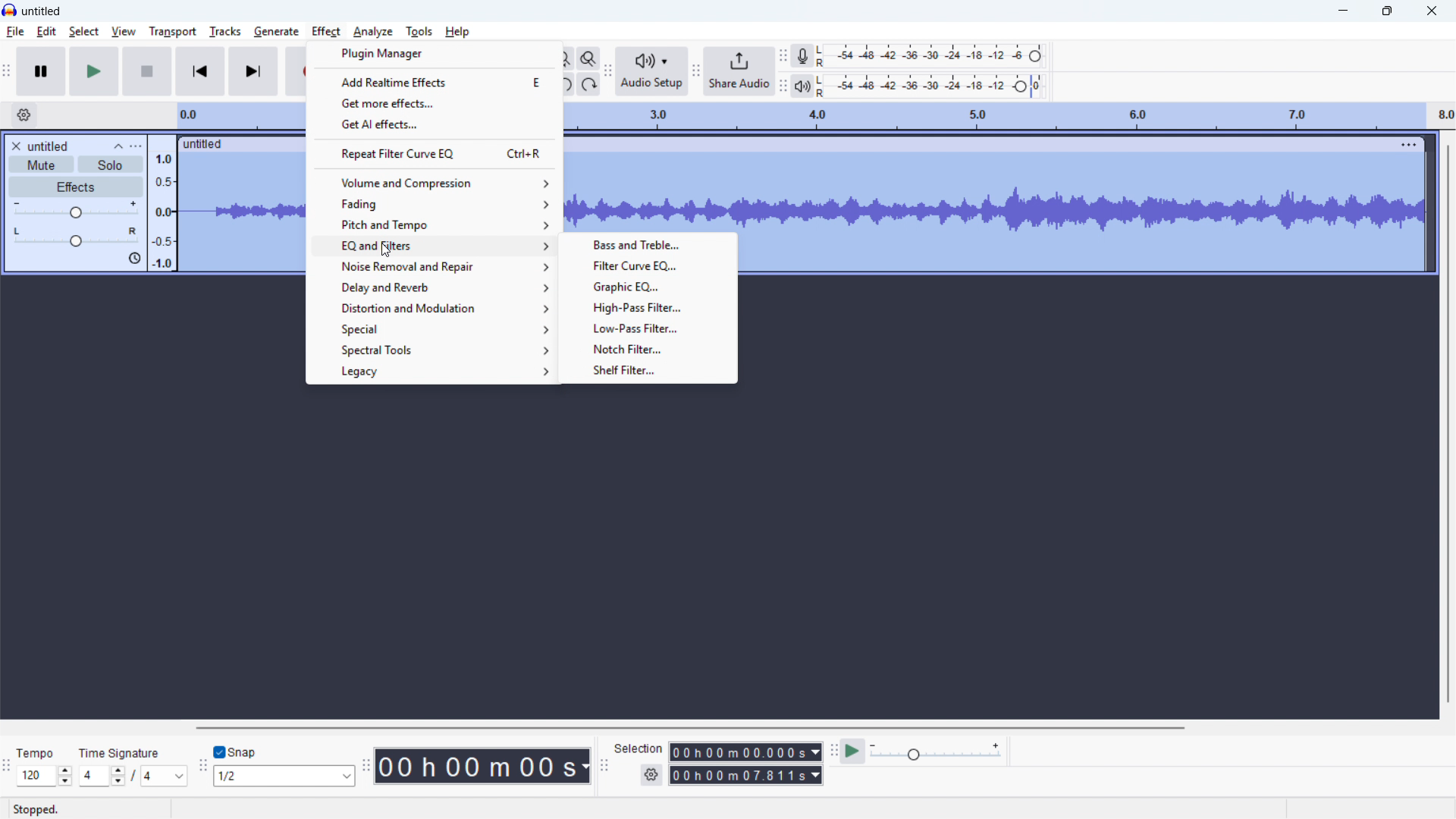 Image resolution: width=1456 pixels, height=819 pixels. I want to click on Play at speed , so click(851, 752).